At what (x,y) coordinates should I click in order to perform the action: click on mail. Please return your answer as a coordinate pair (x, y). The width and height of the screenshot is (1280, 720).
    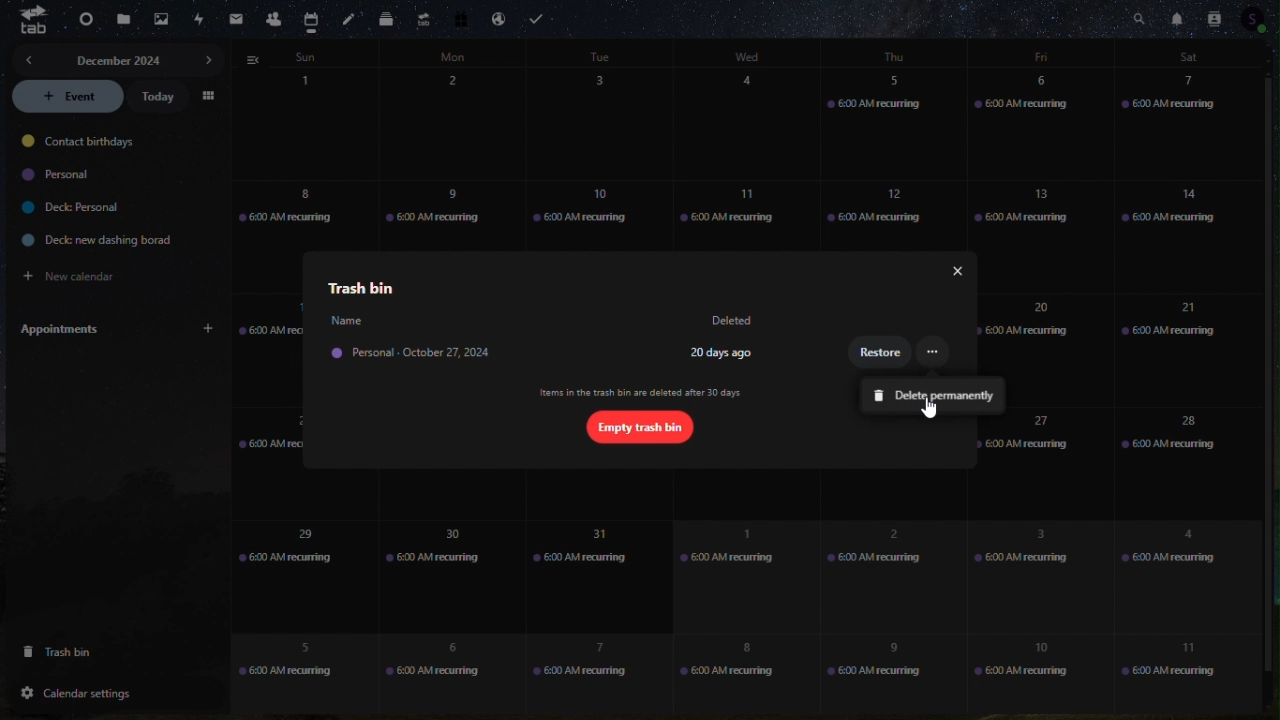
    Looking at the image, I should click on (234, 20).